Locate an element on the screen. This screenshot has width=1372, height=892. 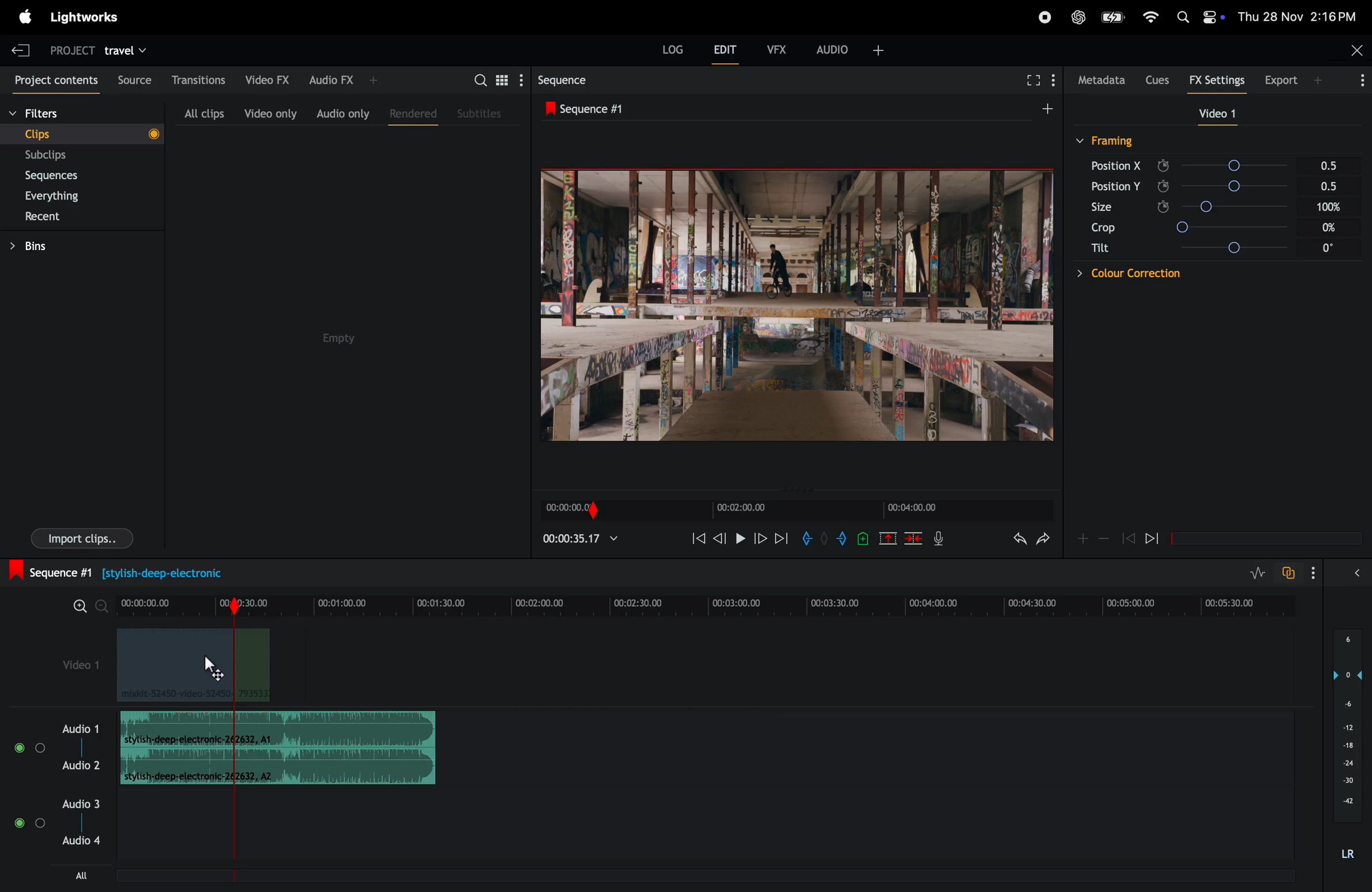
color correction is located at coordinates (1111, 274).